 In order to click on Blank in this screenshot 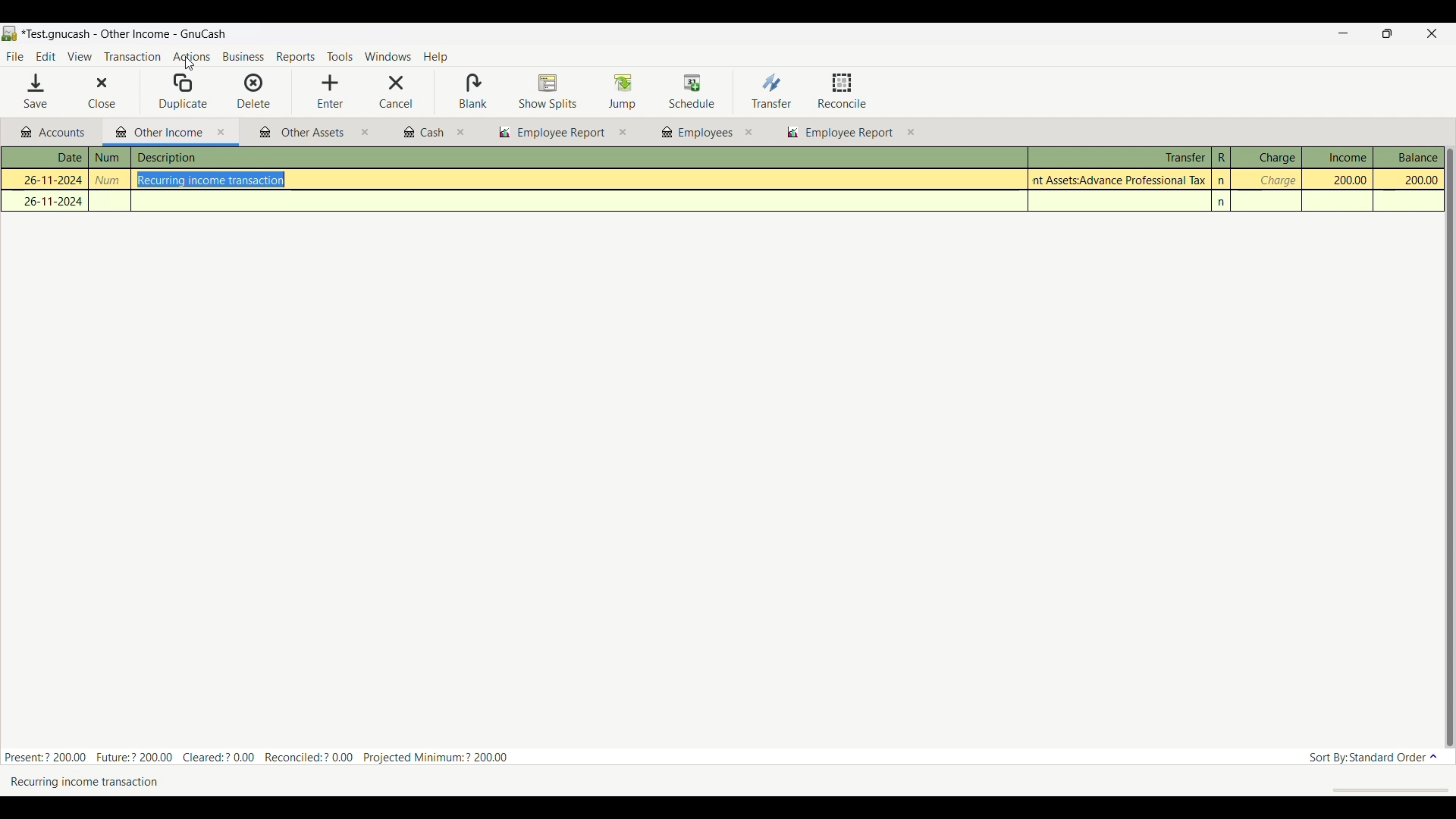, I will do `click(472, 92)`.